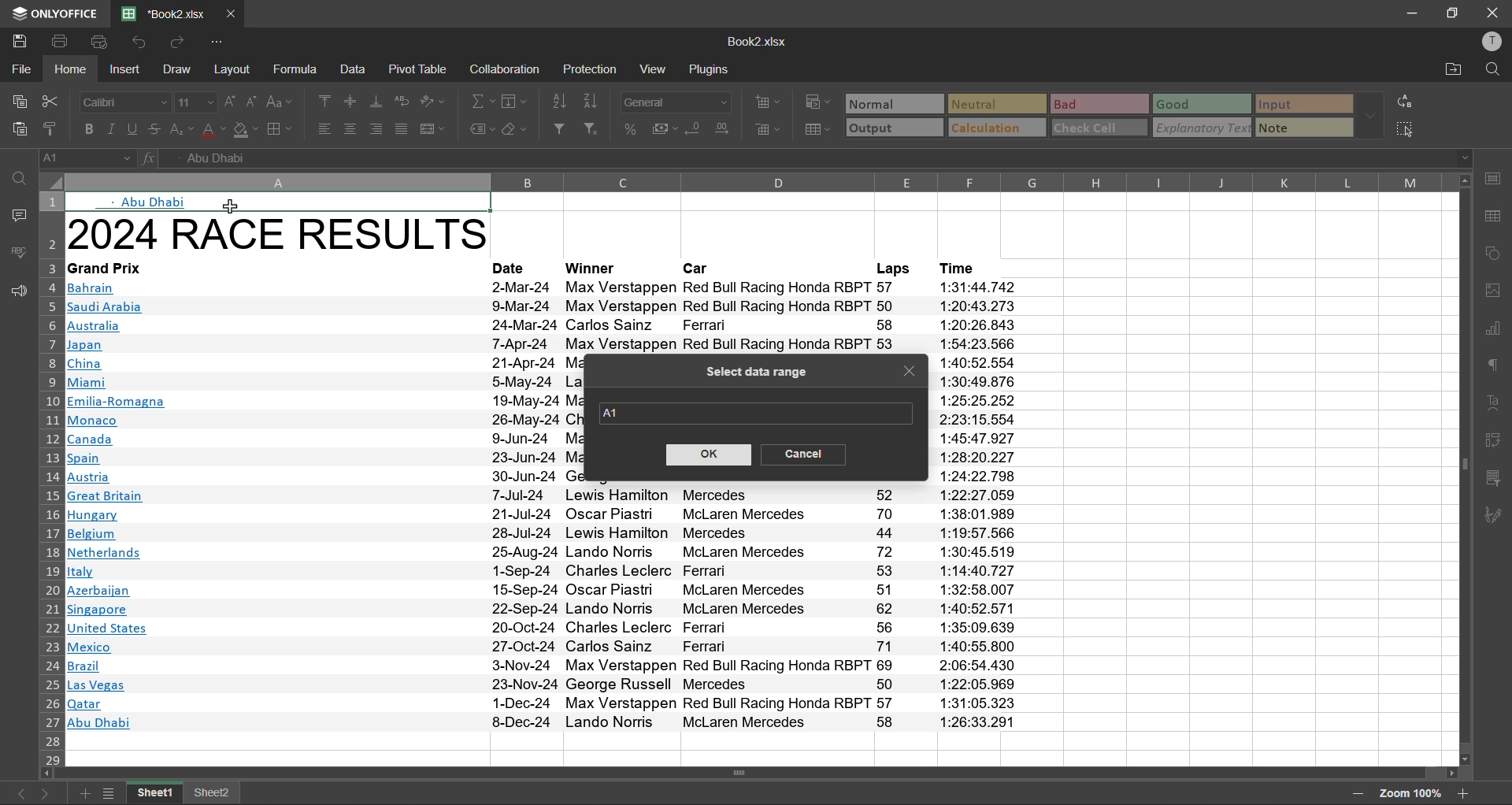  What do you see at coordinates (591, 127) in the screenshot?
I see `clear filter` at bounding box center [591, 127].